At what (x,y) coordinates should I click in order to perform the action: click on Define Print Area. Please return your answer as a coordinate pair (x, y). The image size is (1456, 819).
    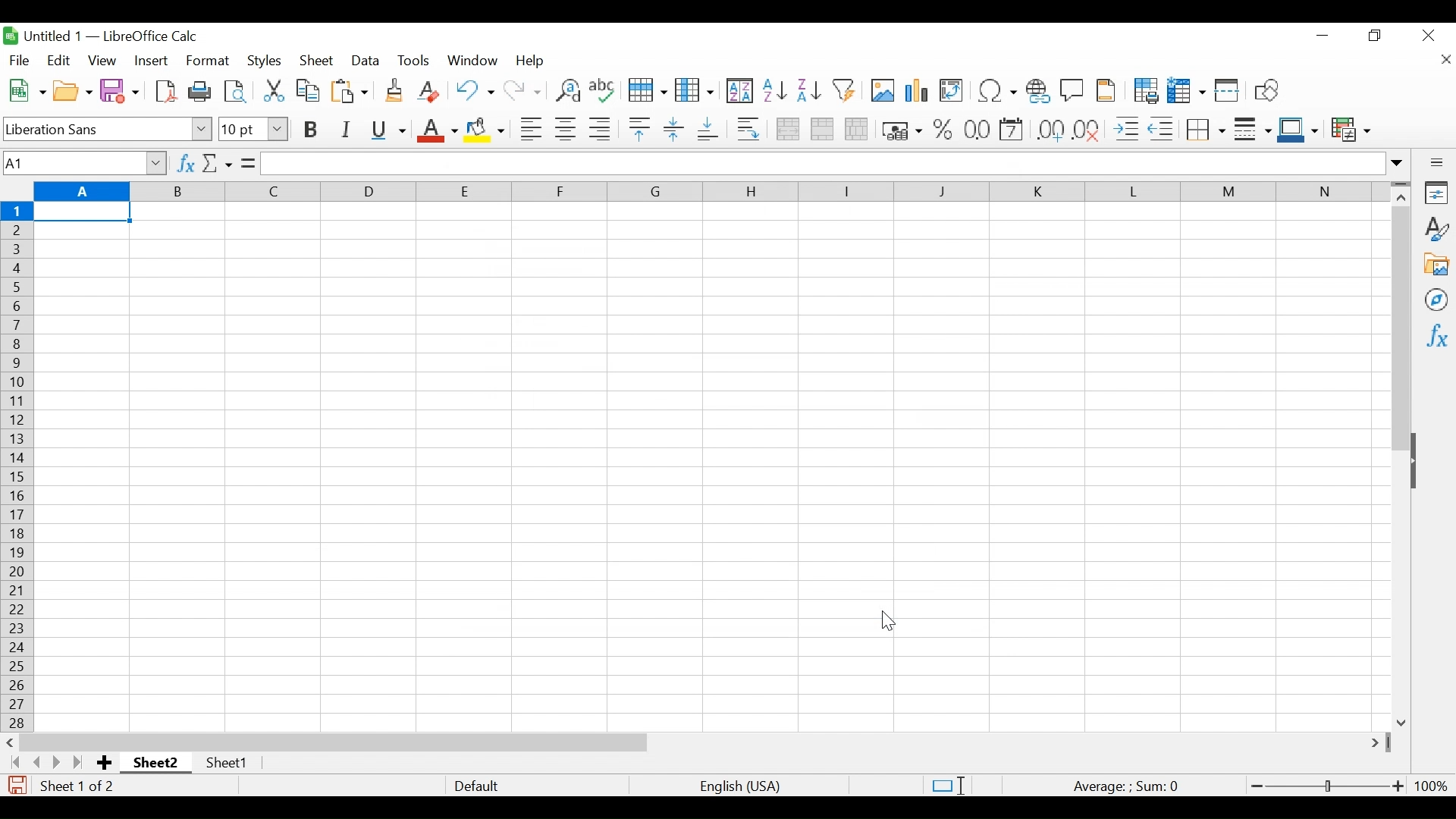
    Looking at the image, I should click on (1145, 90).